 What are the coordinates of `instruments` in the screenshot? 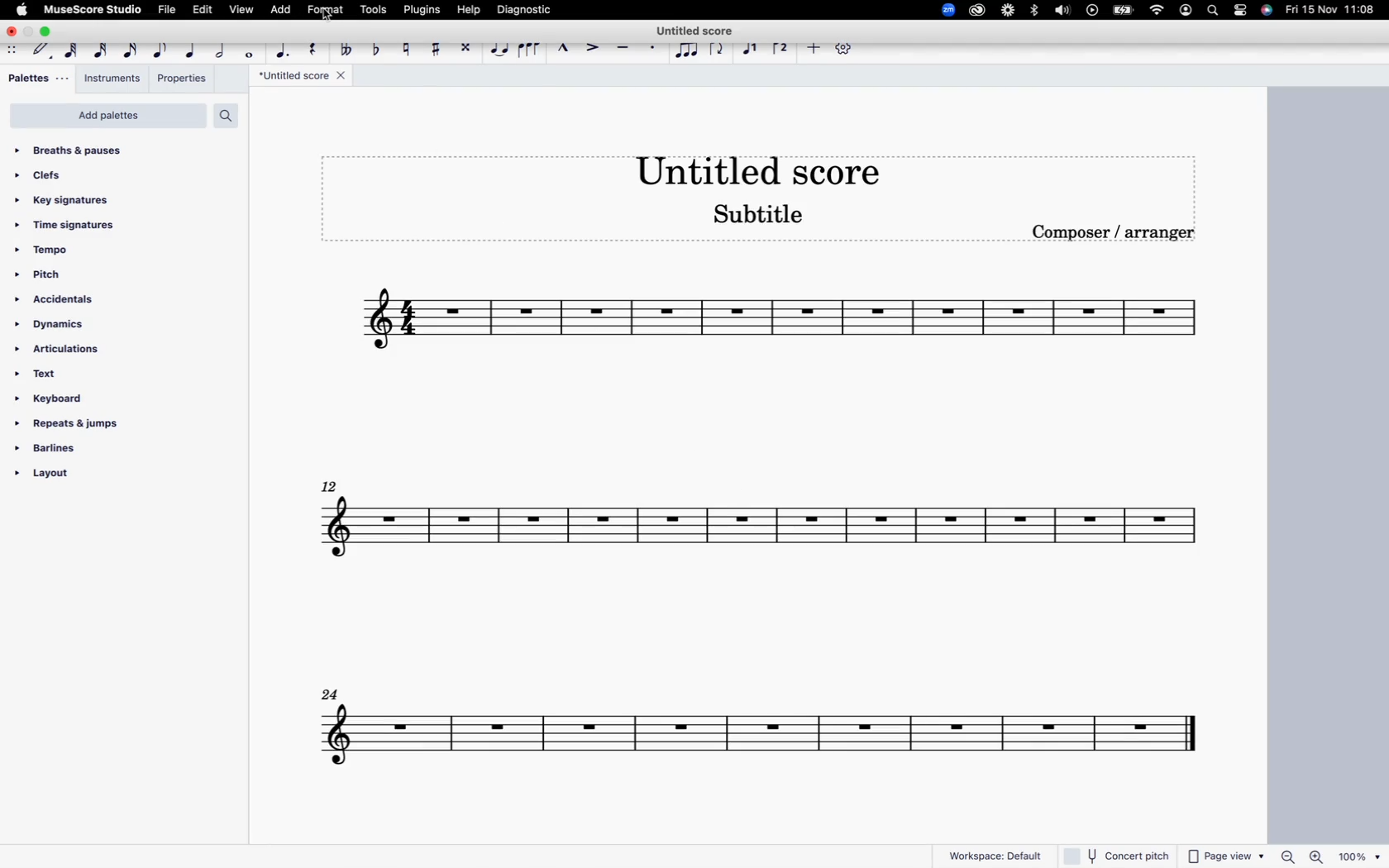 It's located at (114, 79).